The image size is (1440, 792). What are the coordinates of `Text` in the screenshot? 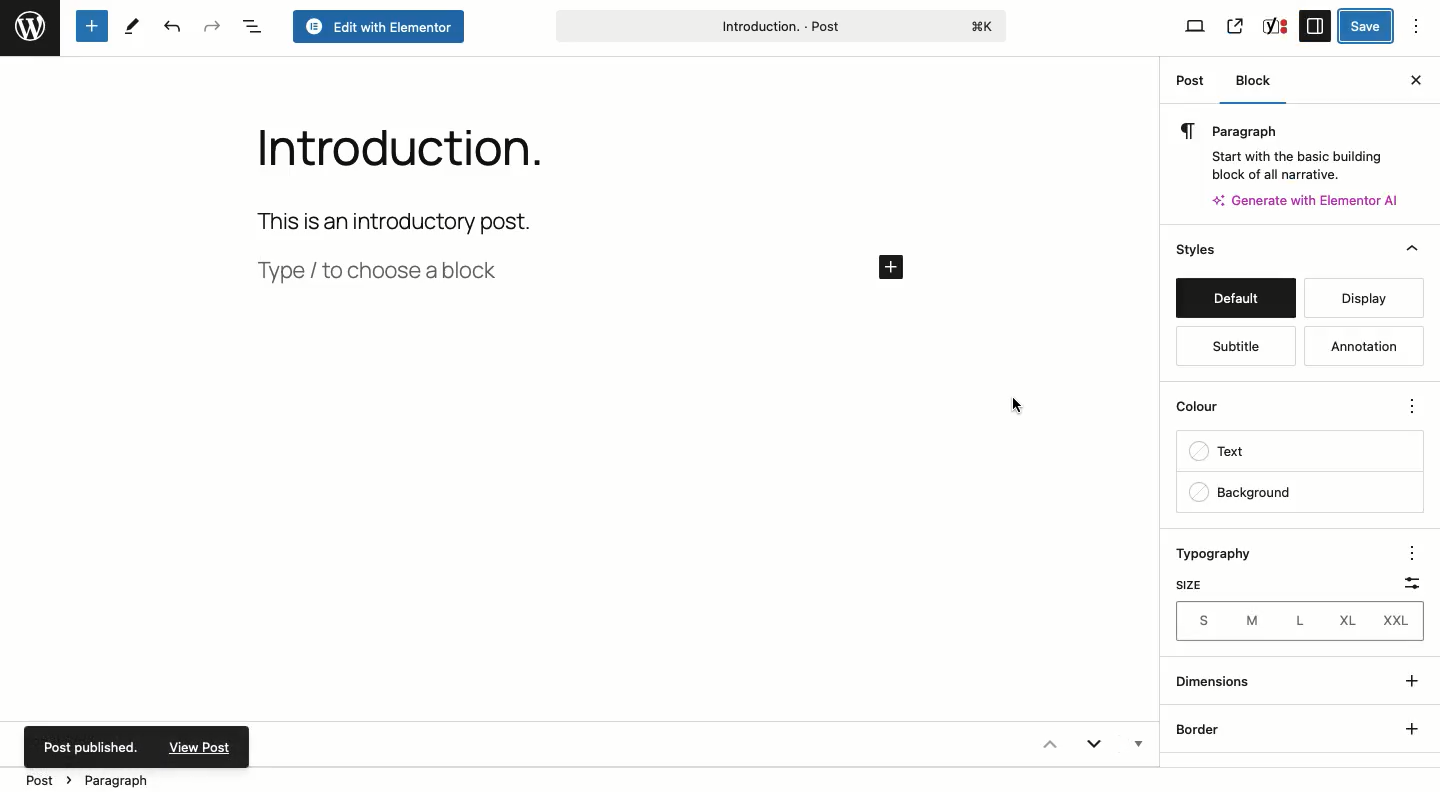 It's located at (1225, 454).